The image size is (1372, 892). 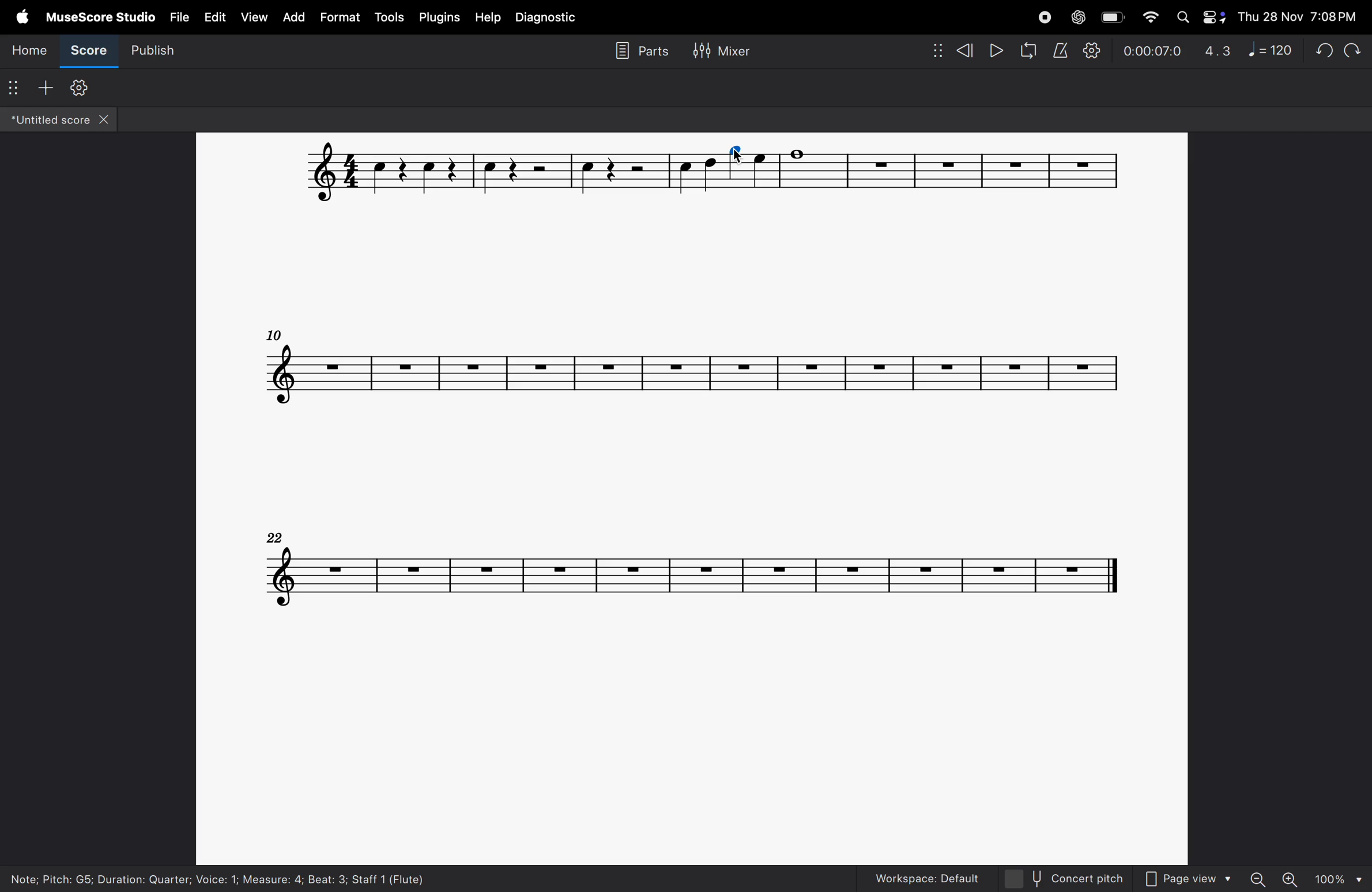 What do you see at coordinates (717, 172) in the screenshot?
I see `notes` at bounding box center [717, 172].